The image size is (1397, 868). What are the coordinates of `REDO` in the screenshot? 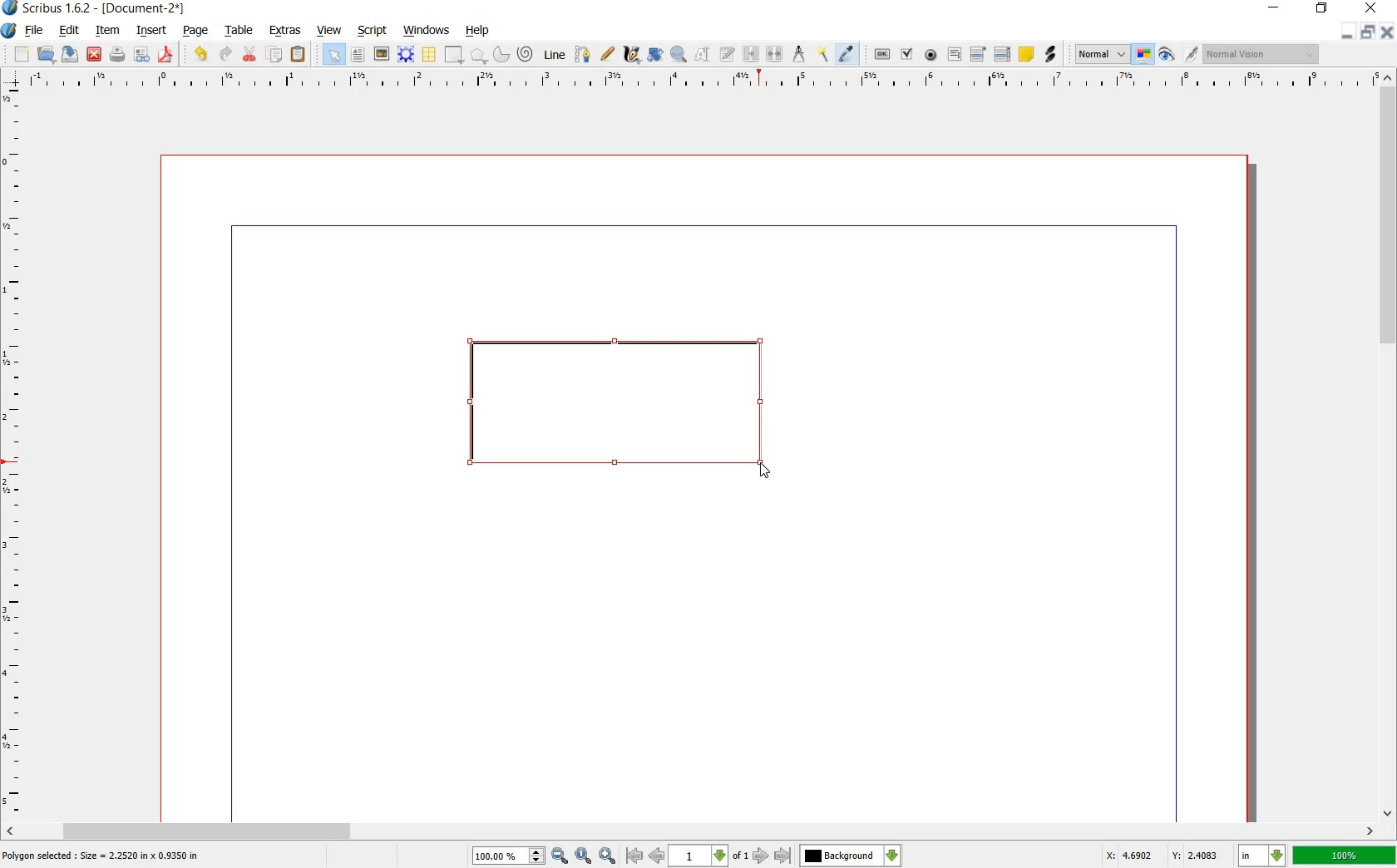 It's located at (226, 55).